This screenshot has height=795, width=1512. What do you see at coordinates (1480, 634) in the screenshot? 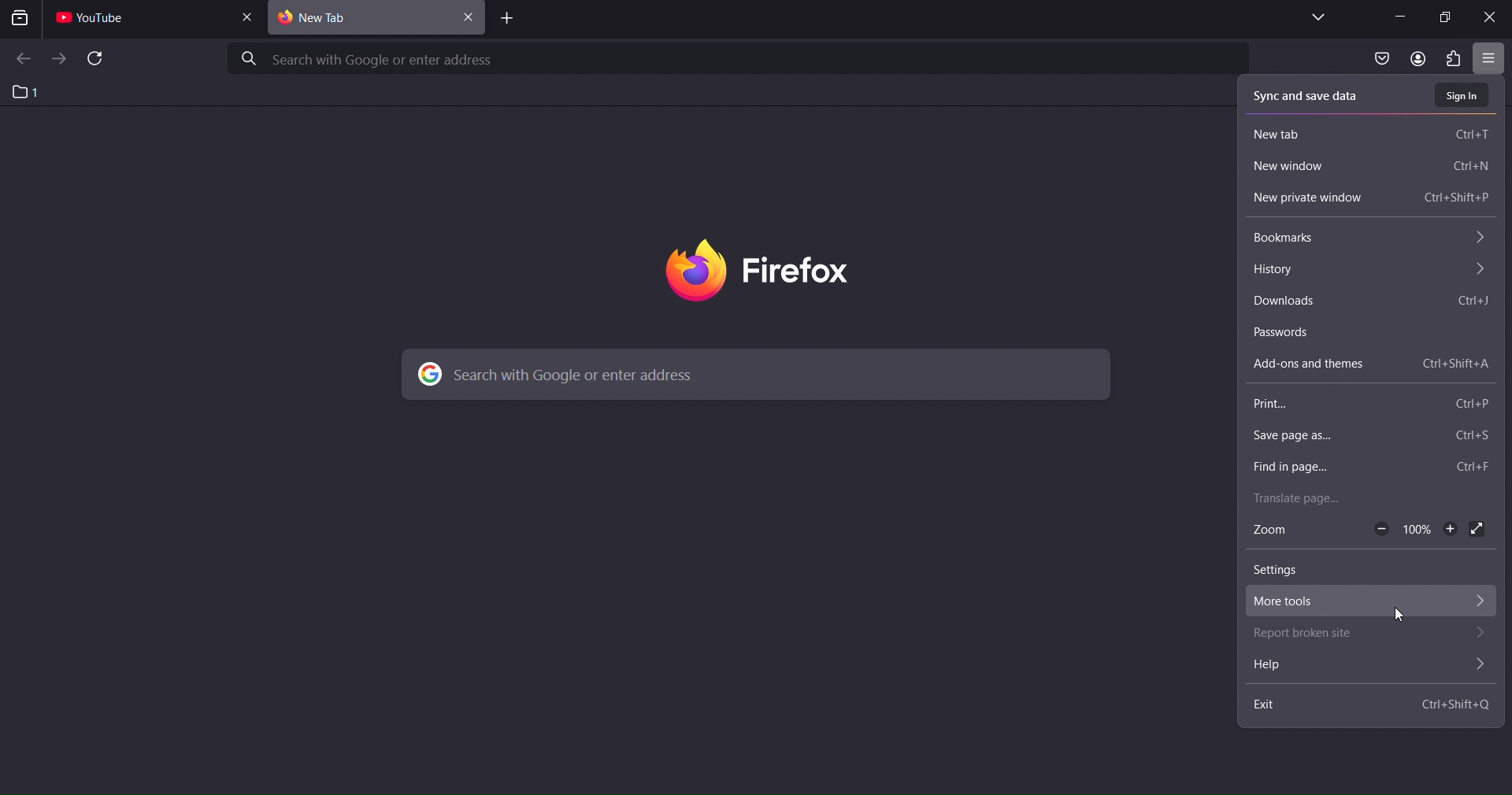
I see `Menu Arrow` at bounding box center [1480, 634].